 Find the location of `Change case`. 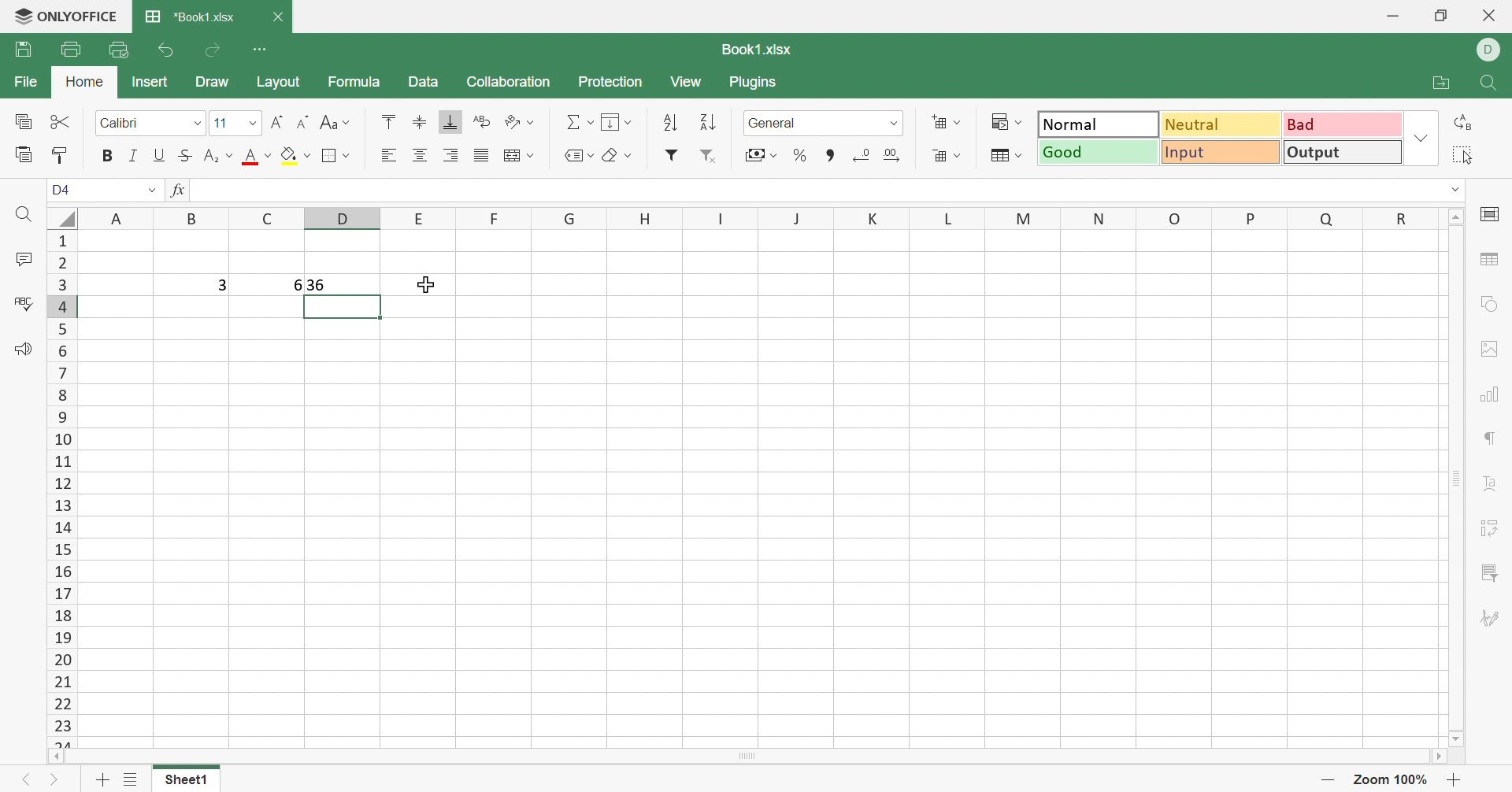

Change case is located at coordinates (335, 121).